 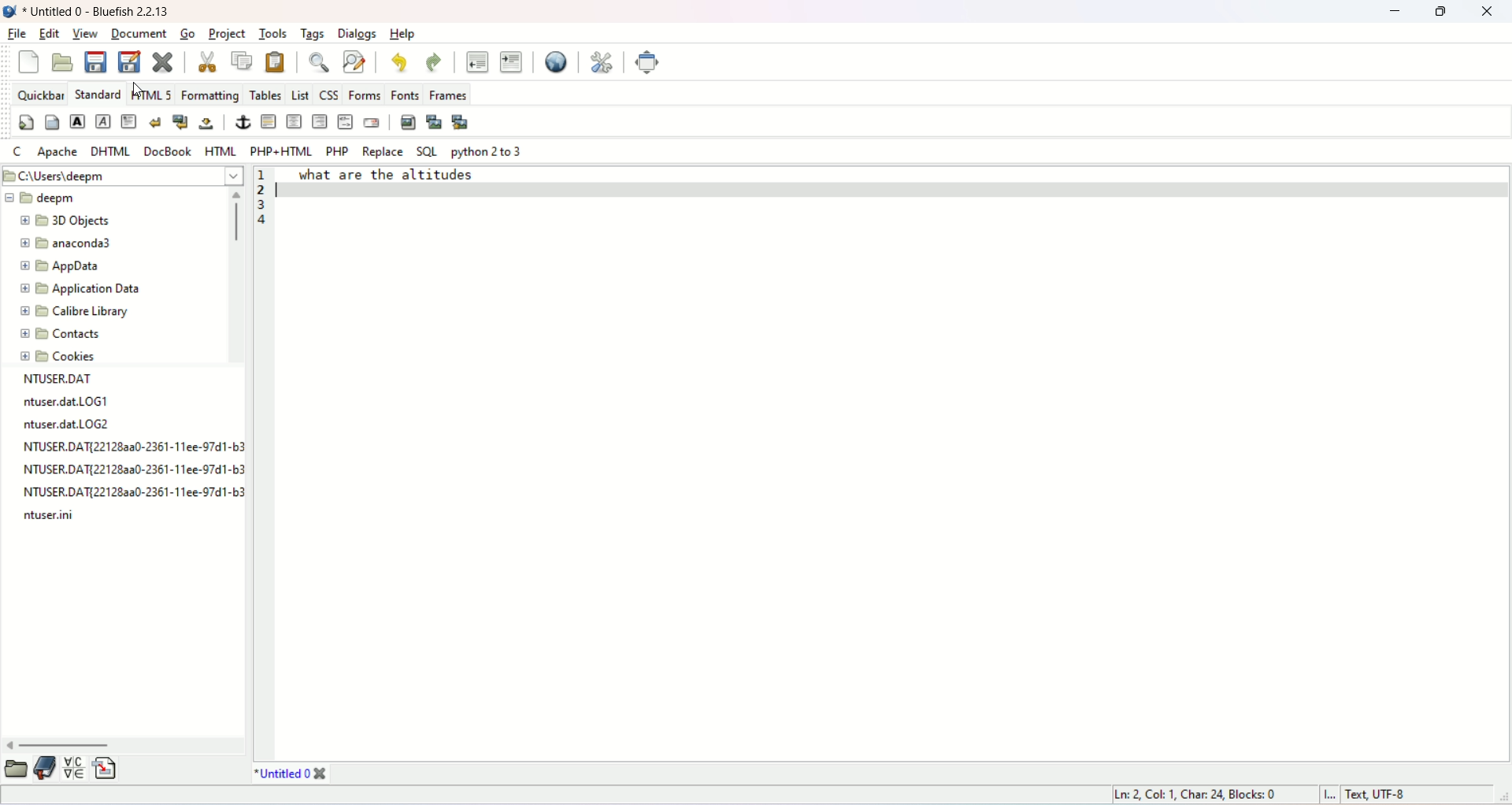 What do you see at coordinates (17, 769) in the screenshot?
I see `open` at bounding box center [17, 769].